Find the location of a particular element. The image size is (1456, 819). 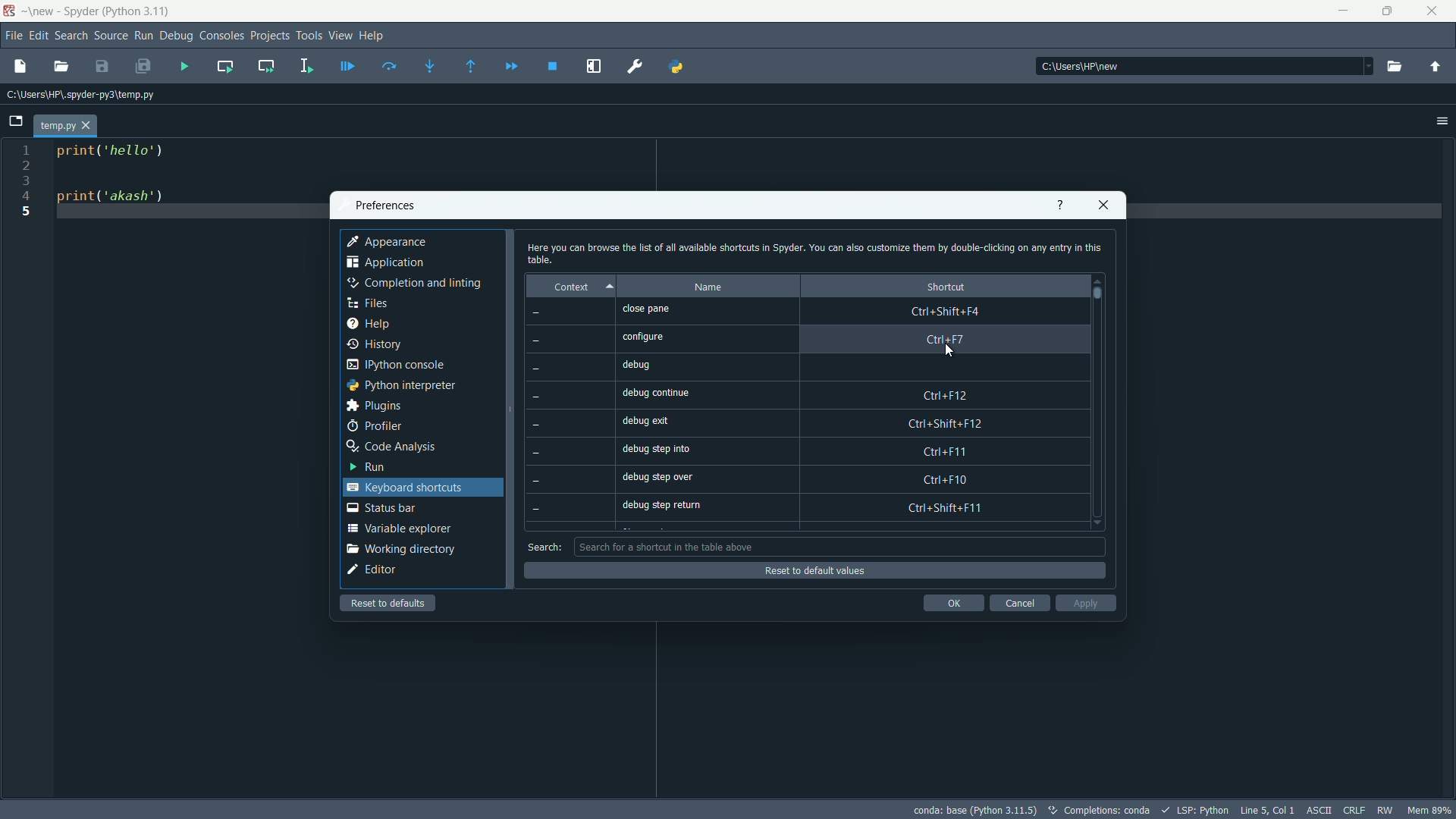

scroll bar is located at coordinates (1099, 293).